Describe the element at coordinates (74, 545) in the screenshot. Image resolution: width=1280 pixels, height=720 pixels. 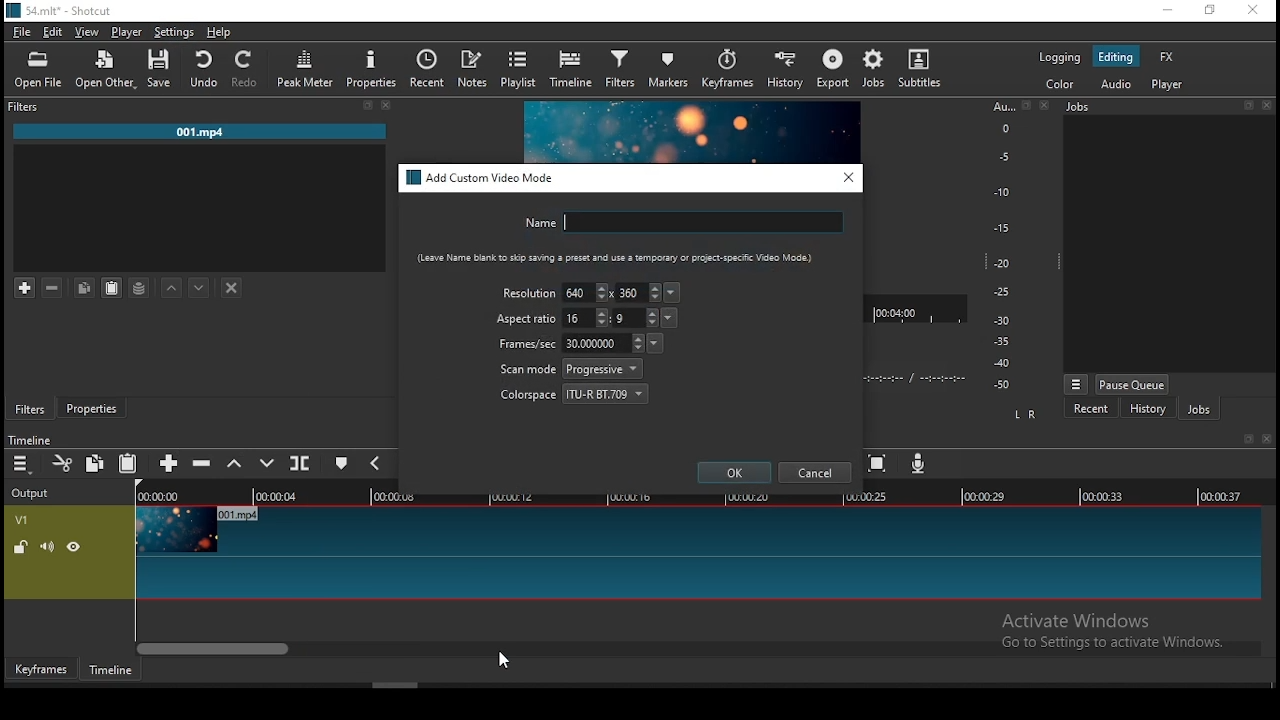
I see `hide video track` at that location.